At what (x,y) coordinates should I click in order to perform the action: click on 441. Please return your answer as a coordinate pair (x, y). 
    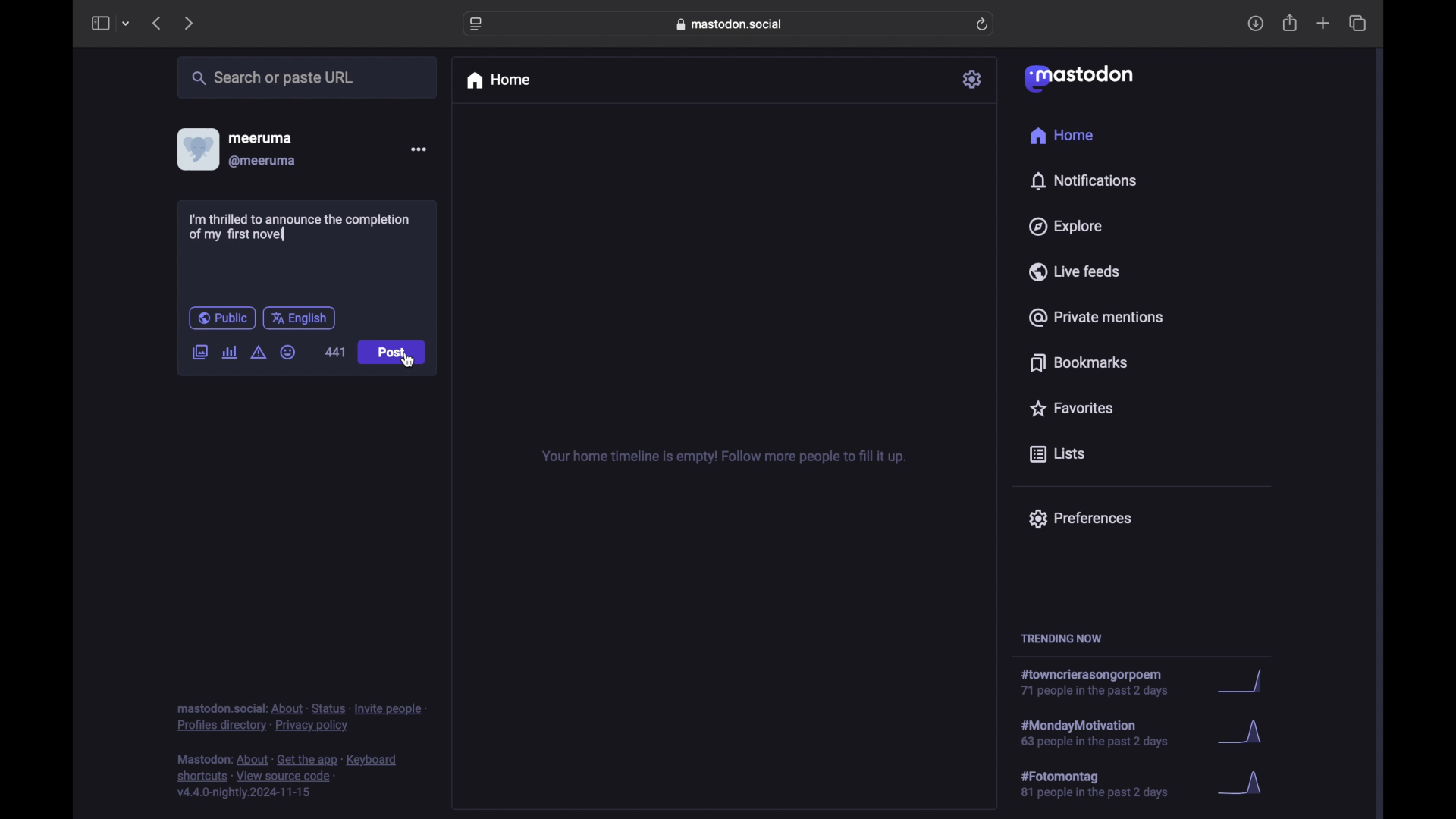
    Looking at the image, I should click on (335, 353).